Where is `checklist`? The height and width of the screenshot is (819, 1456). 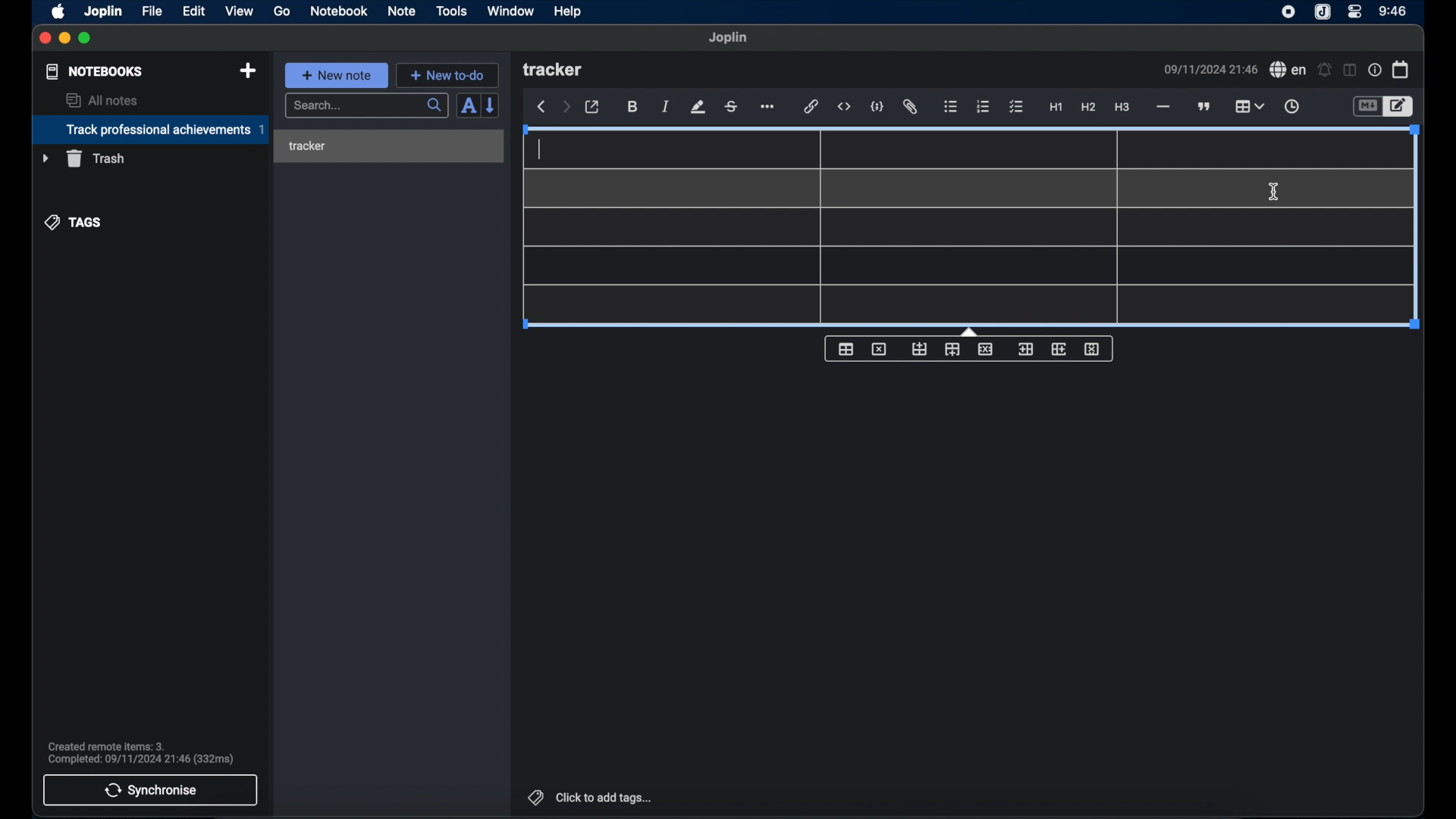 checklist is located at coordinates (1016, 107).